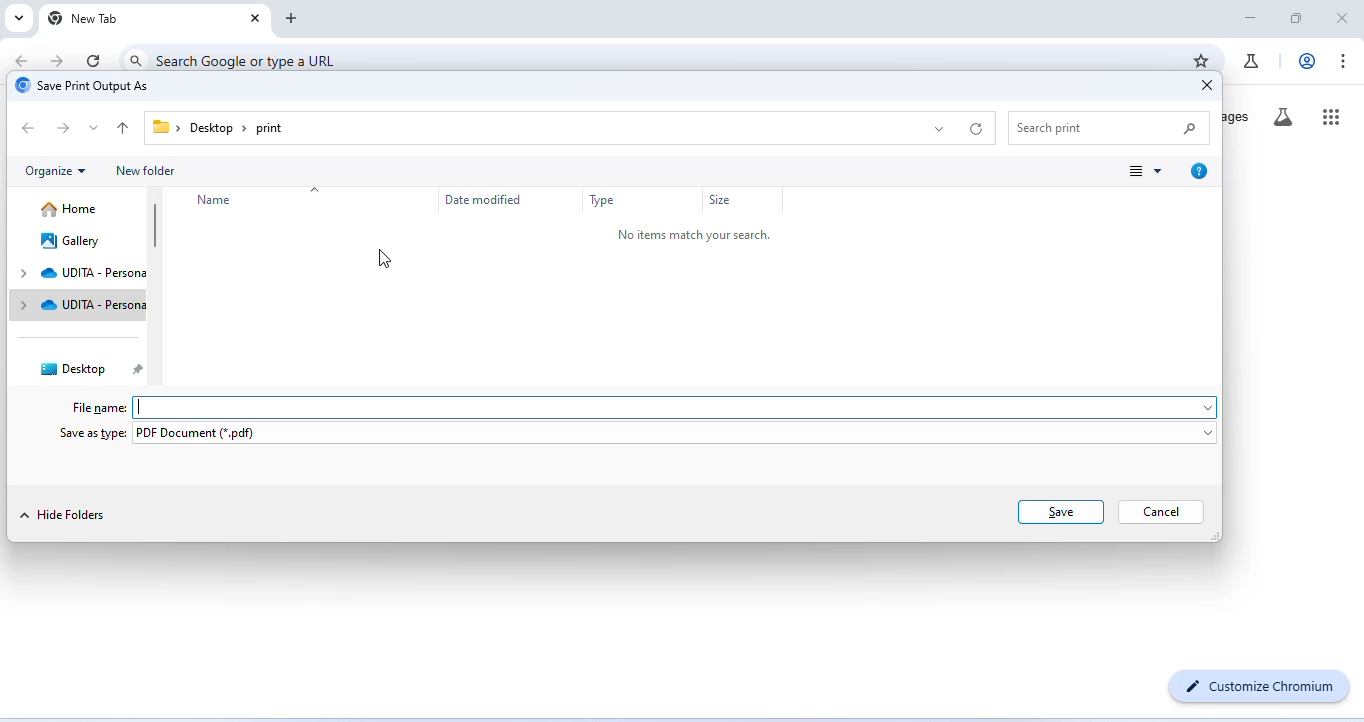 Image resolution: width=1364 pixels, height=722 pixels. What do you see at coordinates (1308, 61) in the screenshot?
I see `account` at bounding box center [1308, 61].